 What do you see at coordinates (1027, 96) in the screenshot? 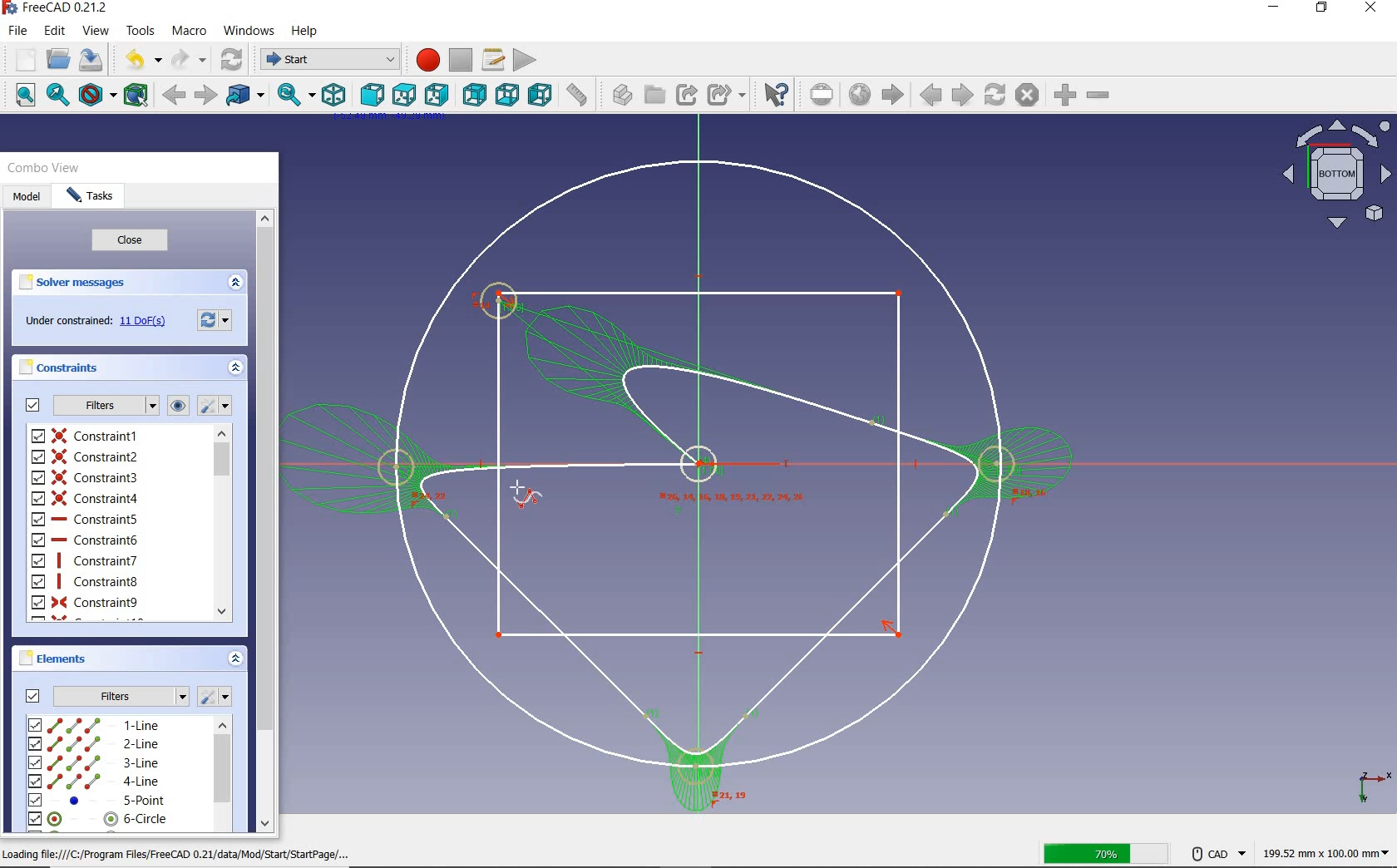
I see `stop loading` at bounding box center [1027, 96].